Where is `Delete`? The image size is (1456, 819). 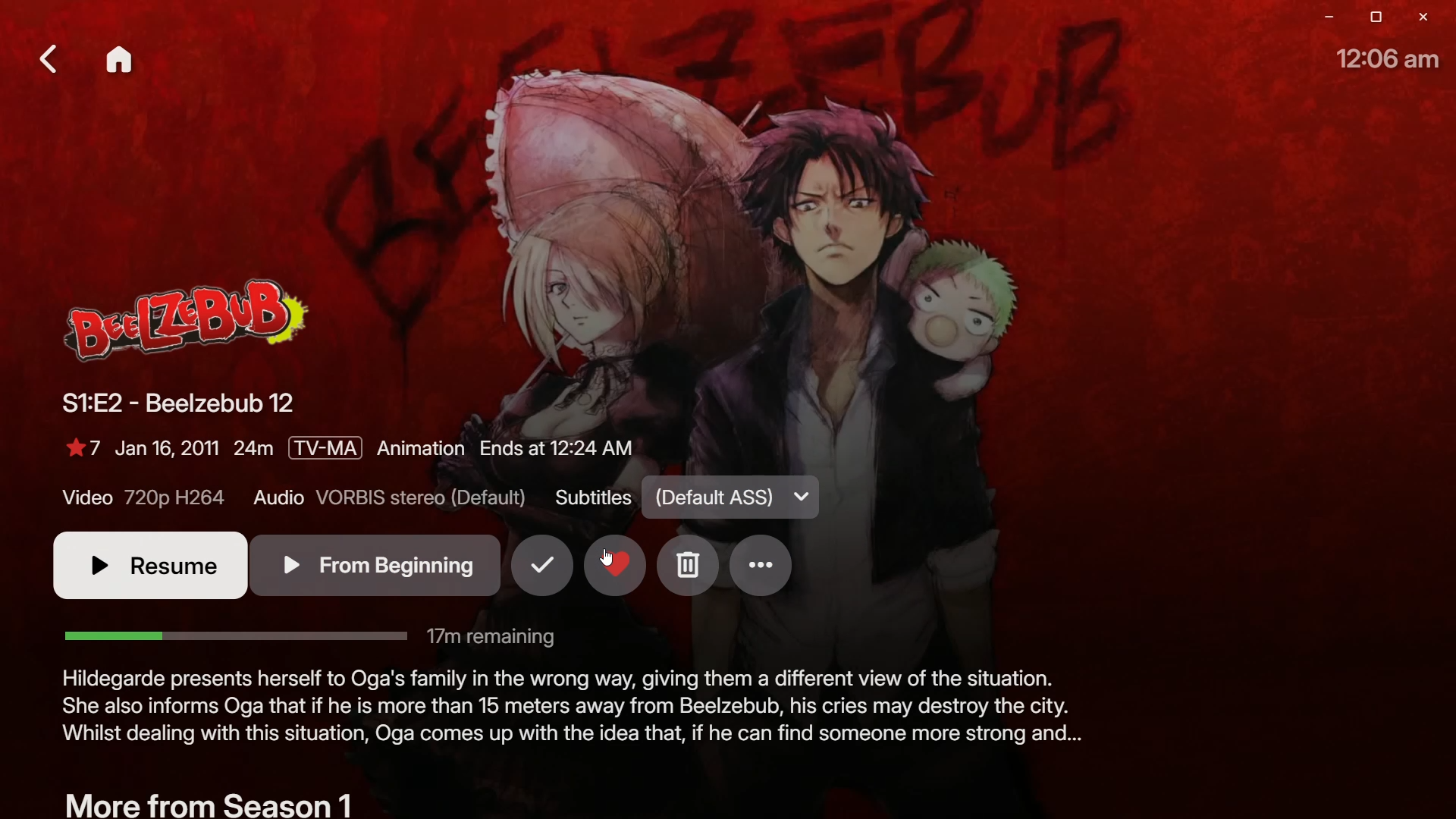 Delete is located at coordinates (689, 566).